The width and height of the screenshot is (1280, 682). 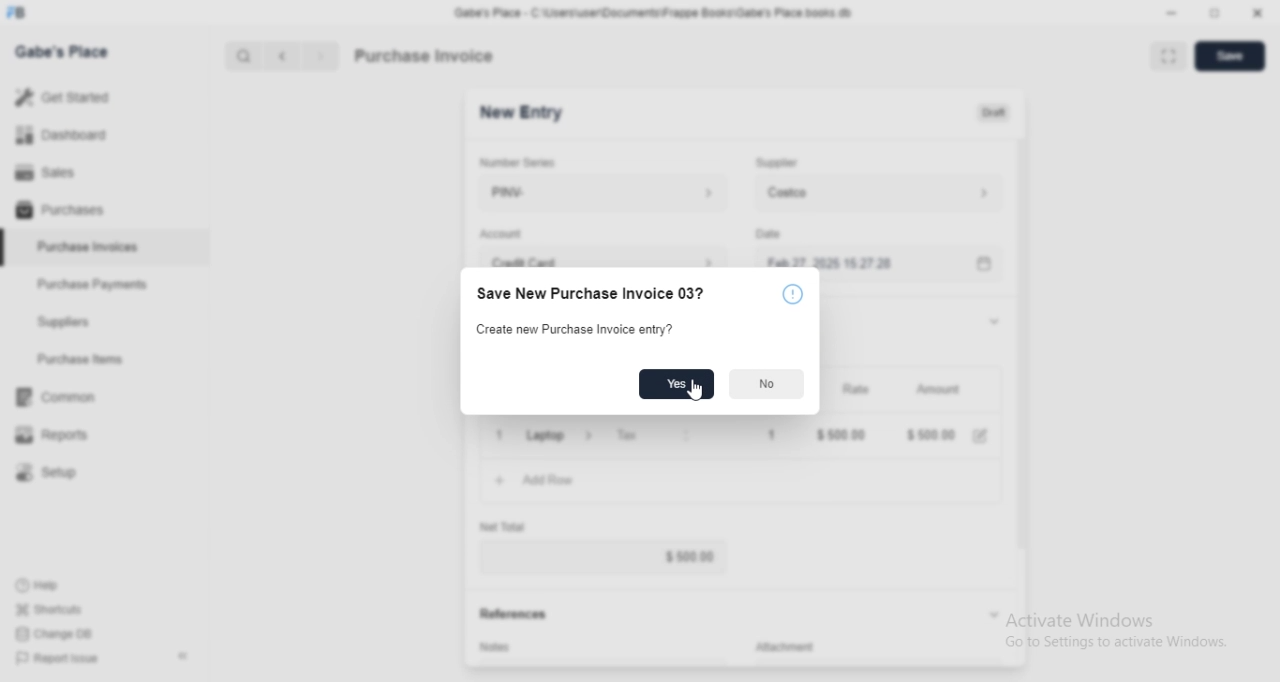 I want to click on Edit, so click(x=980, y=436).